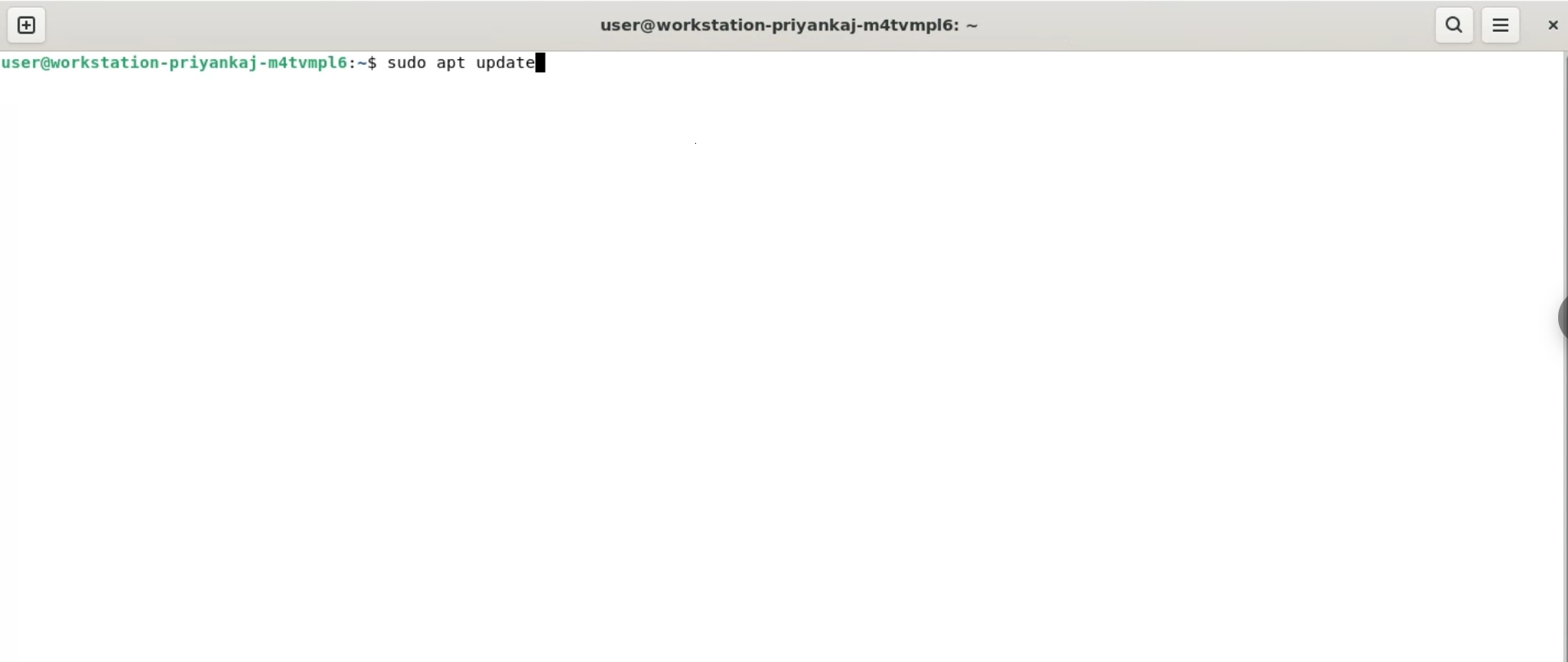  Describe the element at coordinates (26, 26) in the screenshot. I see `new tab` at that location.